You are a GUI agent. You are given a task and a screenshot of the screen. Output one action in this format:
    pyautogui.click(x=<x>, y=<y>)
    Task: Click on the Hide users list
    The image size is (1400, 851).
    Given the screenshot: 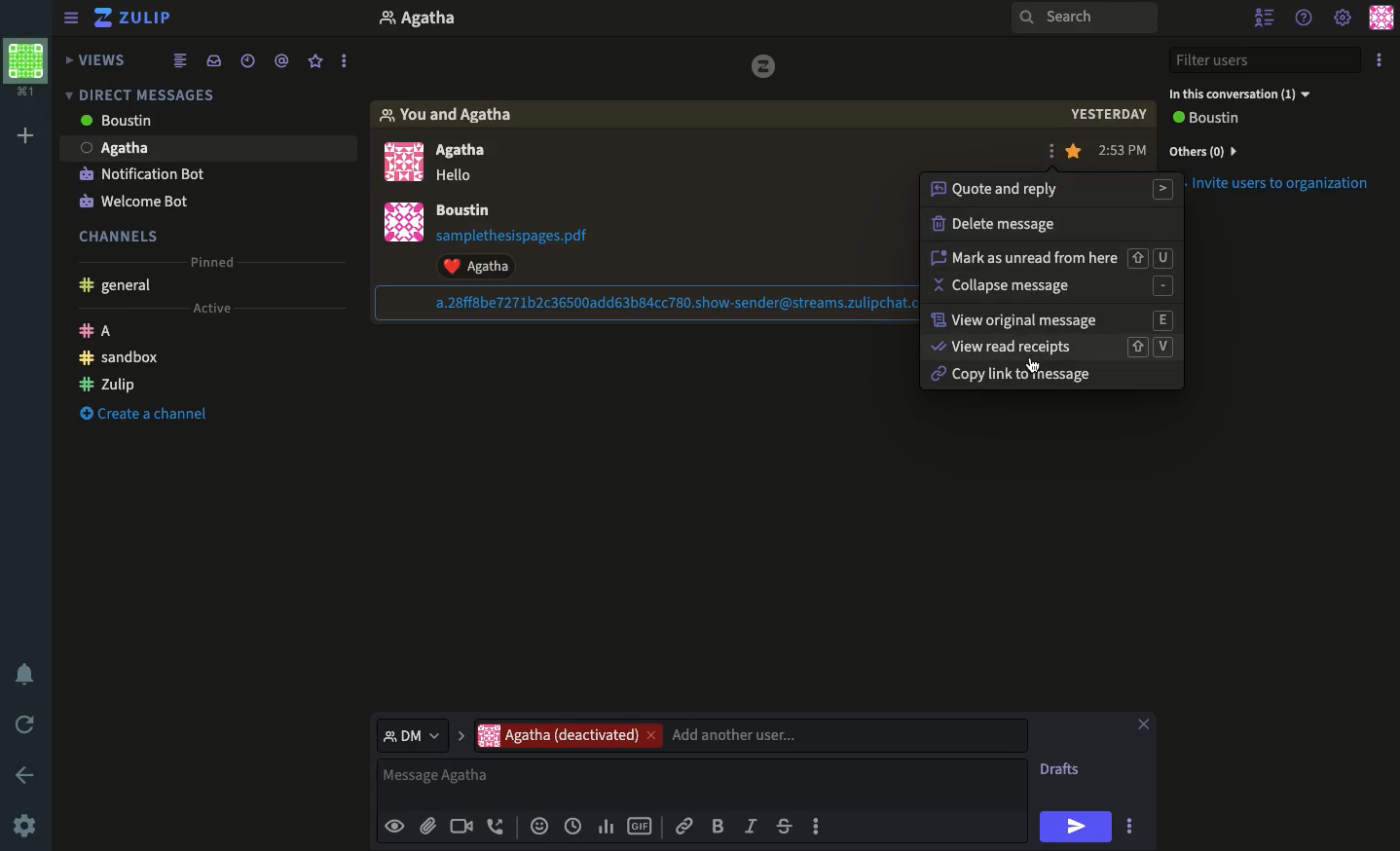 What is the action you would take?
    pyautogui.click(x=1264, y=16)
    